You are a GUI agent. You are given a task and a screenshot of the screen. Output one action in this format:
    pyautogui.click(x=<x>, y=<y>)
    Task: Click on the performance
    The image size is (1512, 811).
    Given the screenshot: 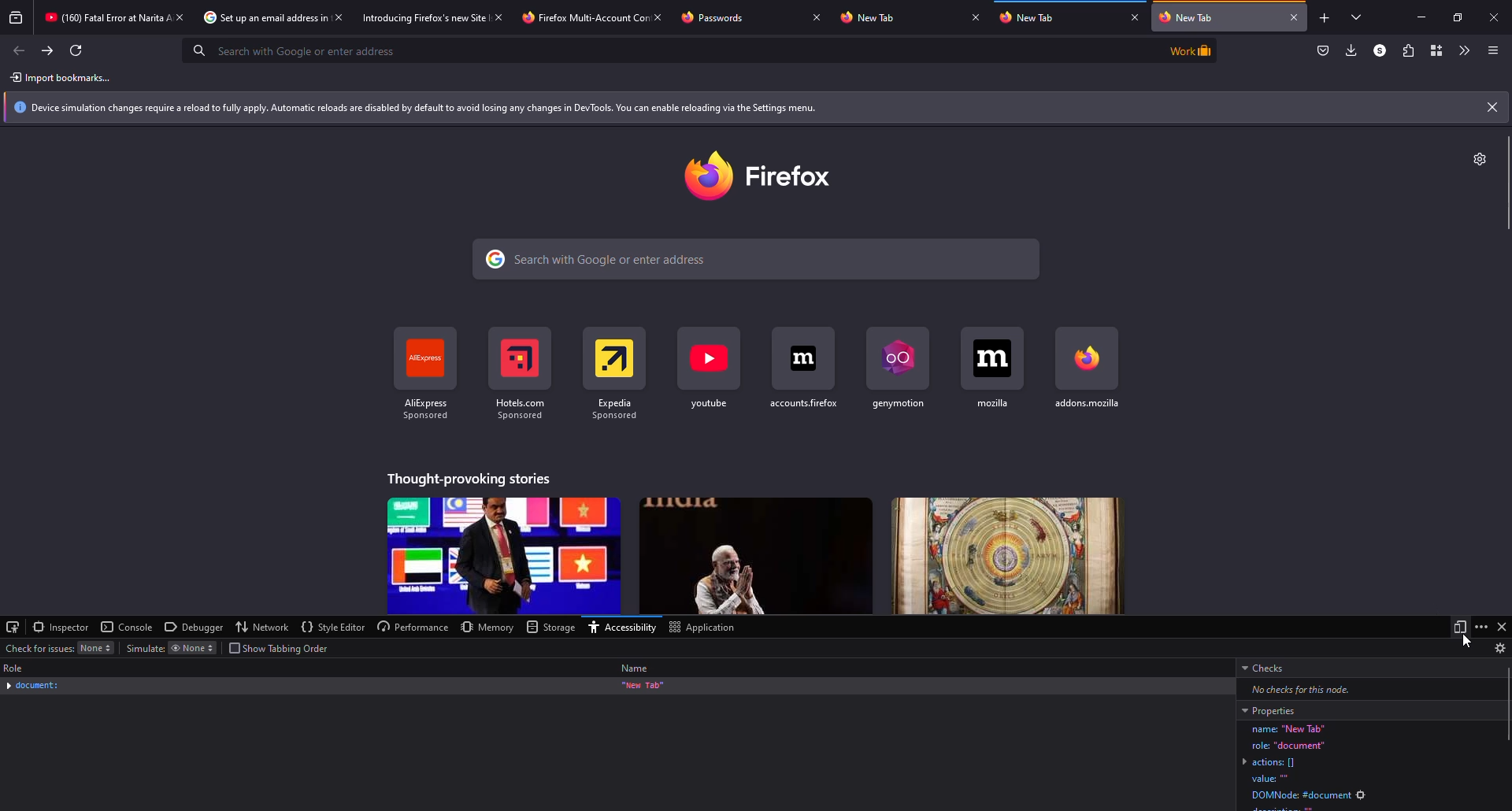 What is the action you would take?
    pyautogui.click(x=413, y=627)
    